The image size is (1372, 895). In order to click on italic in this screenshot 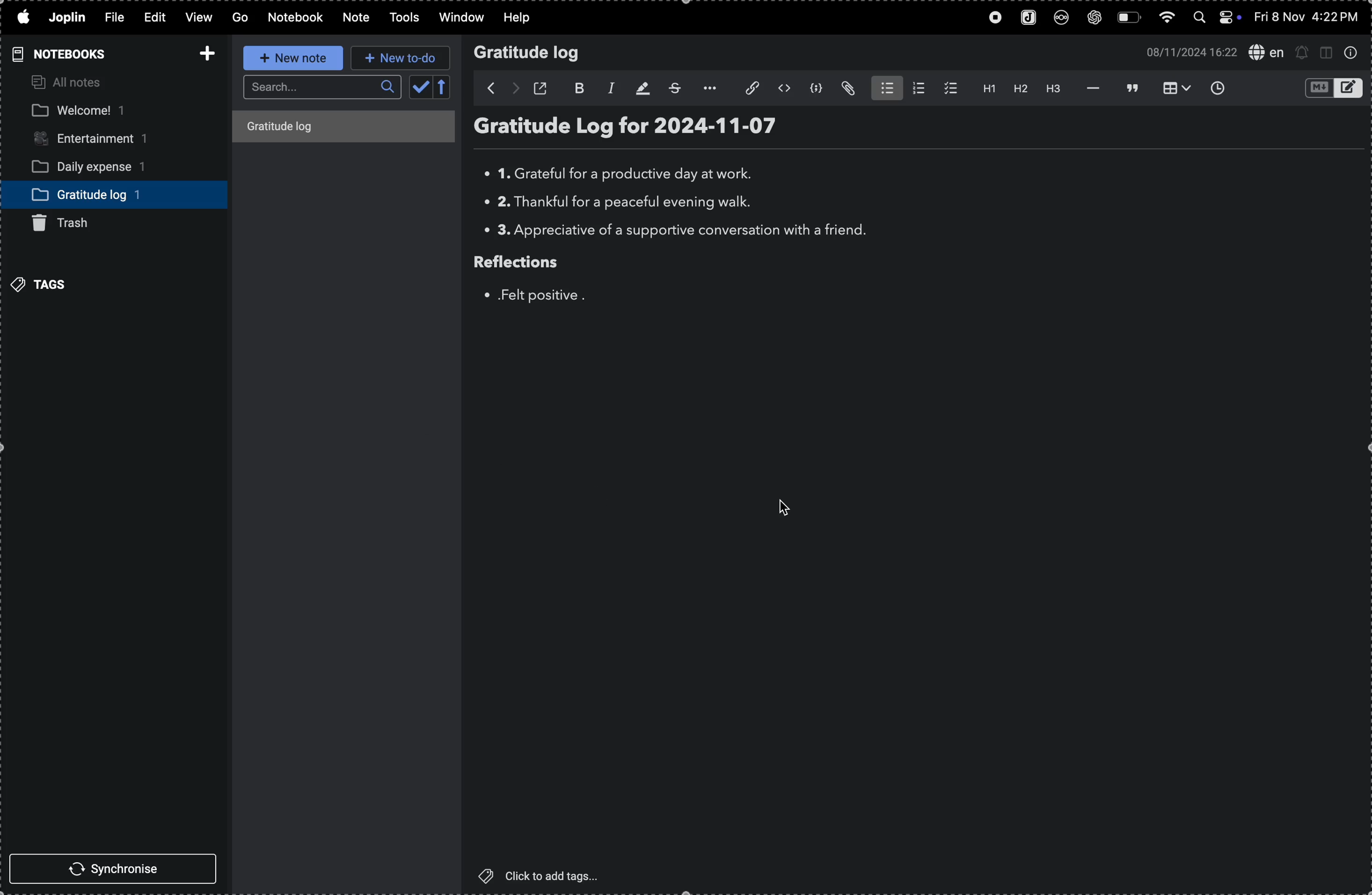, I will do `click(608, 88)`.